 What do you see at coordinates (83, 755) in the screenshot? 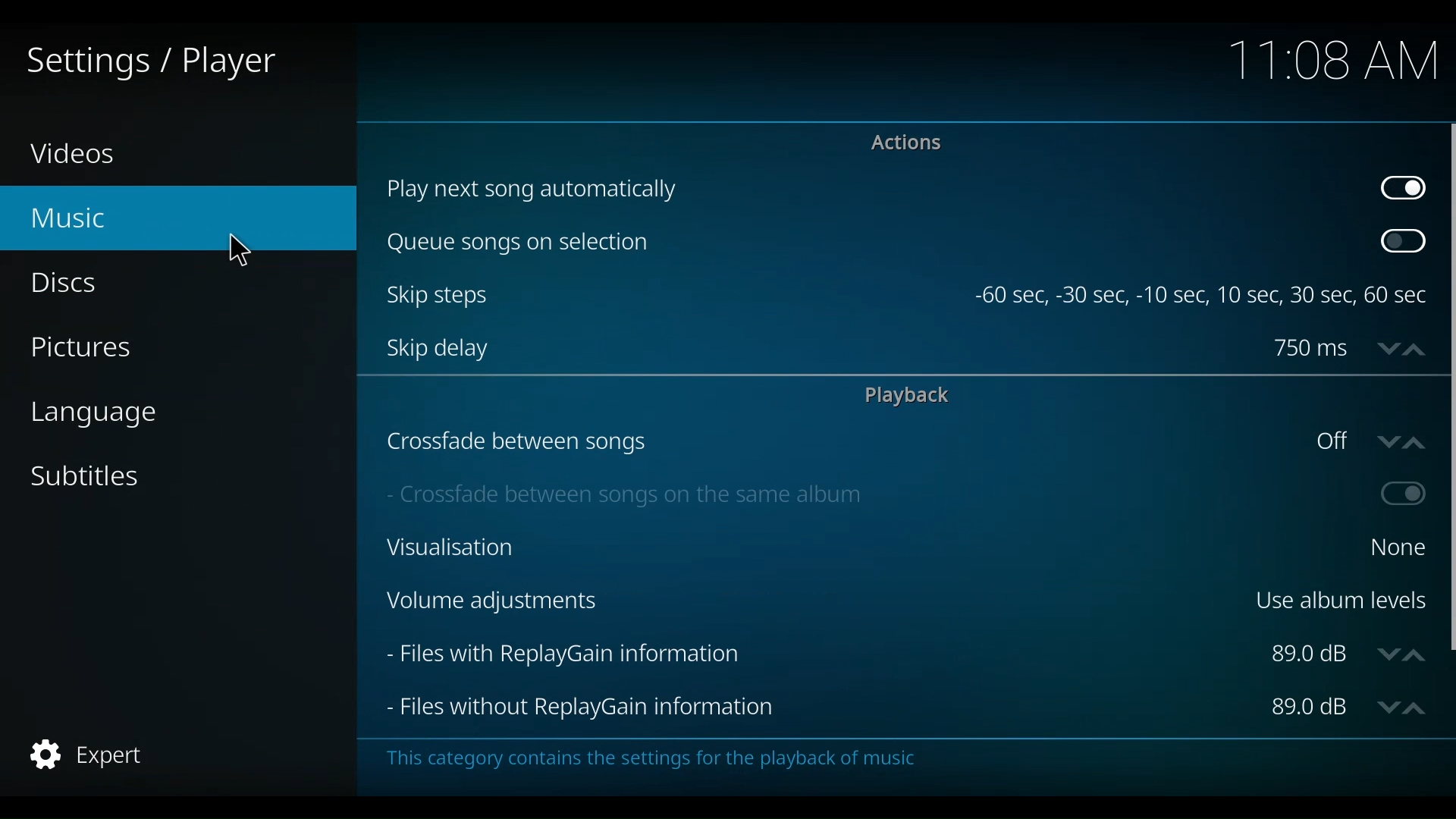
I see `expert` at bounding box center [83, 755].